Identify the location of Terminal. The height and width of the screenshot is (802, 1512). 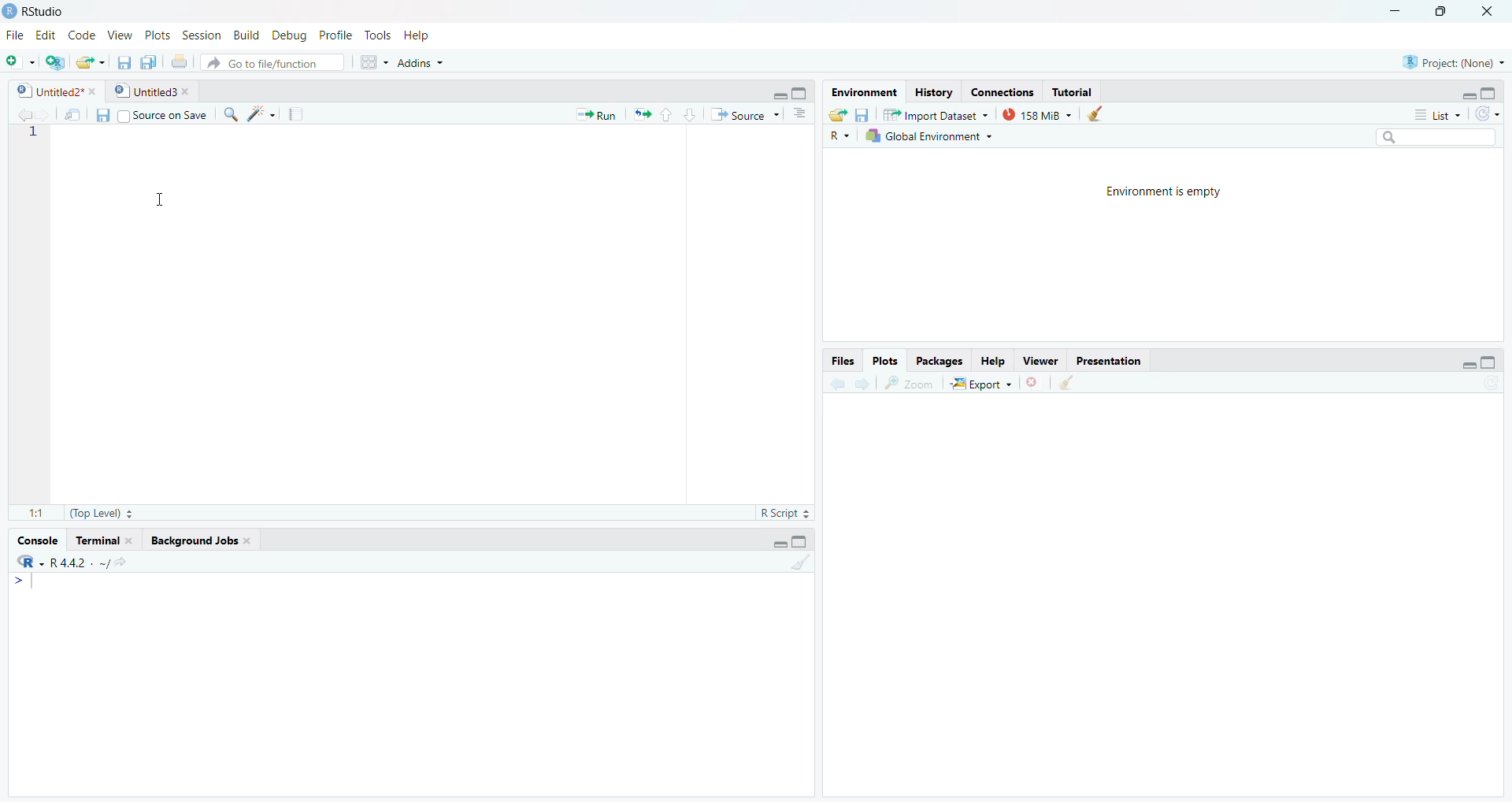
(106, 539).